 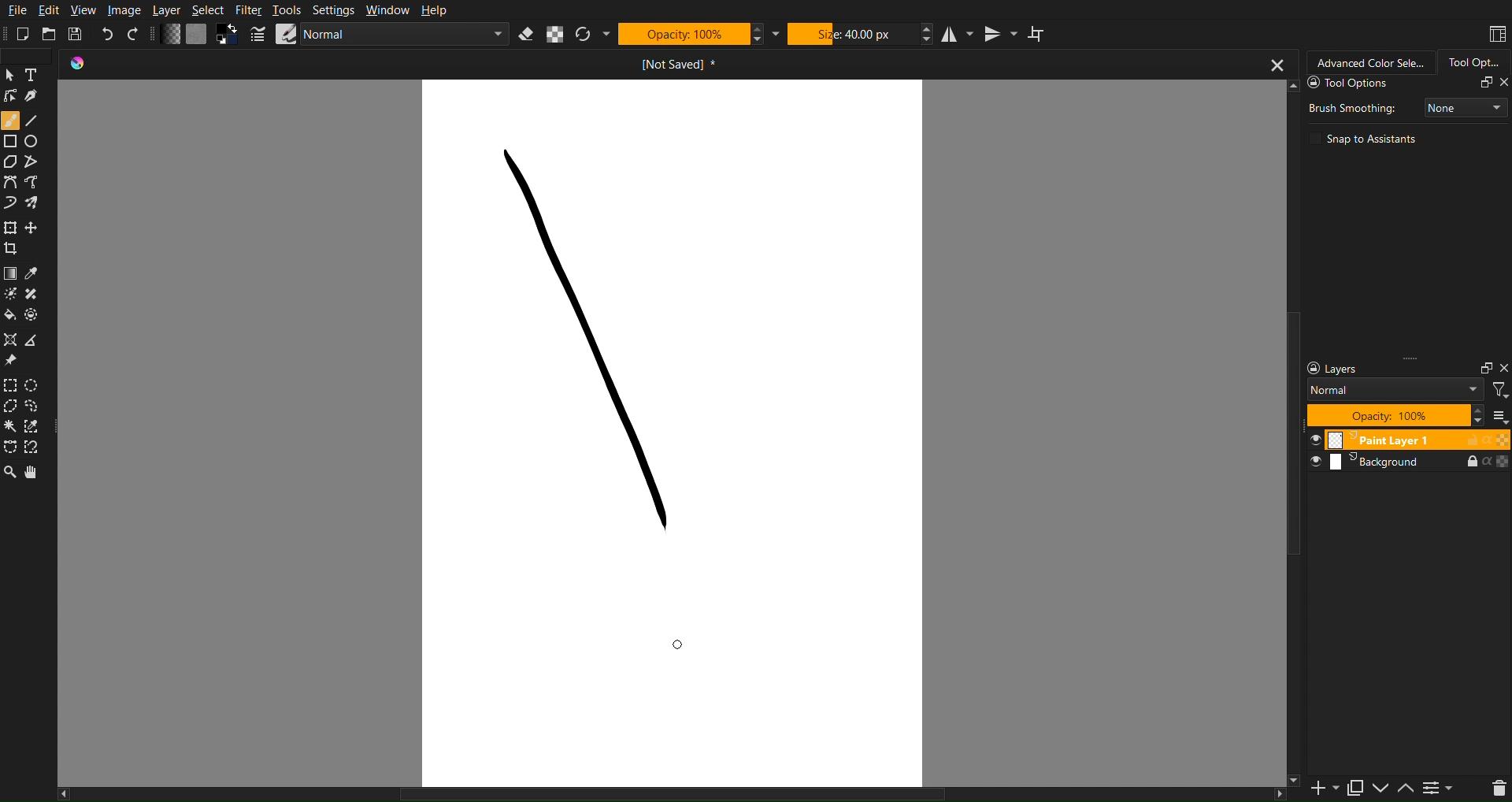 What do you see at coordinates (124, 9) in the screenshot?
I see `Image` at bounding box center [124, 9].